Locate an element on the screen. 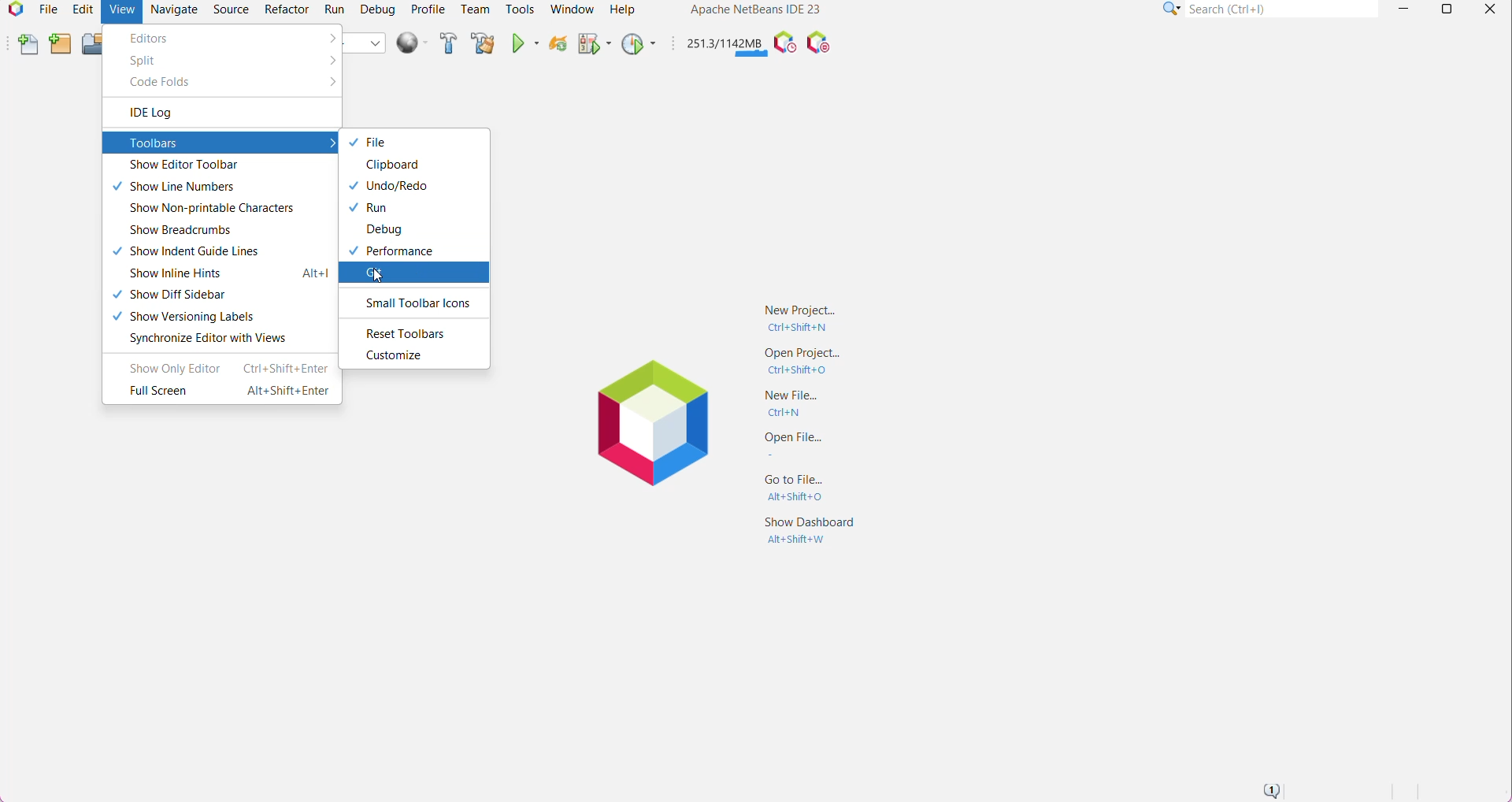 The height and width of the screenshot is (802, 1512). Open Project is located at coordinates (92, 45).